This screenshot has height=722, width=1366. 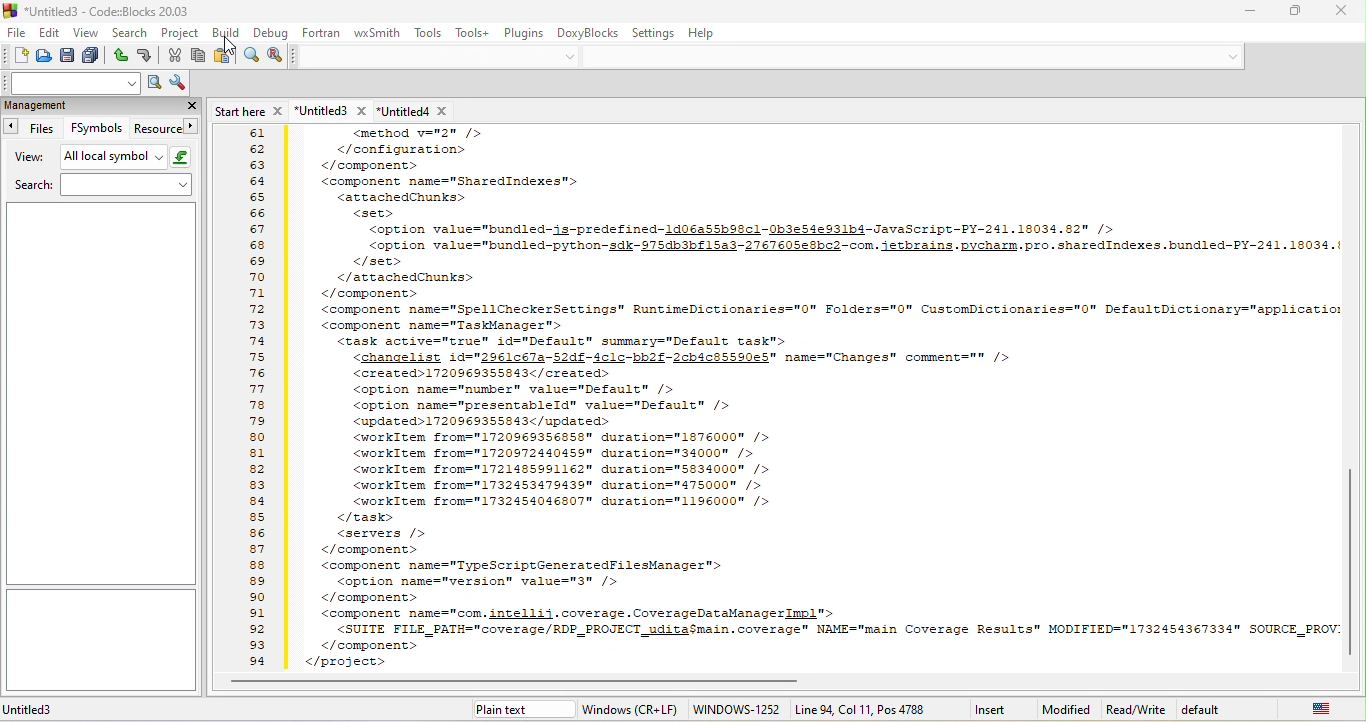 What do you see at coordinates (993, 708) in the screenshot?
I see `insert` at bounding box center [993, 708].